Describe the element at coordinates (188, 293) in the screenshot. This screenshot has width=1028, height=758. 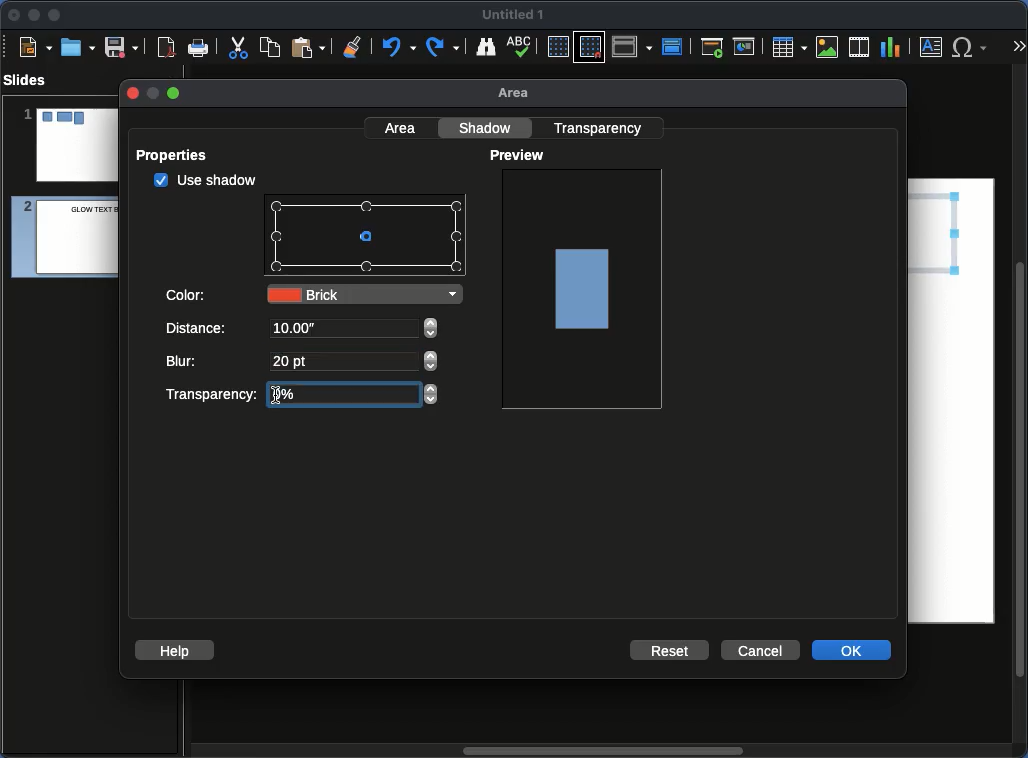
I see `Color` at that location.